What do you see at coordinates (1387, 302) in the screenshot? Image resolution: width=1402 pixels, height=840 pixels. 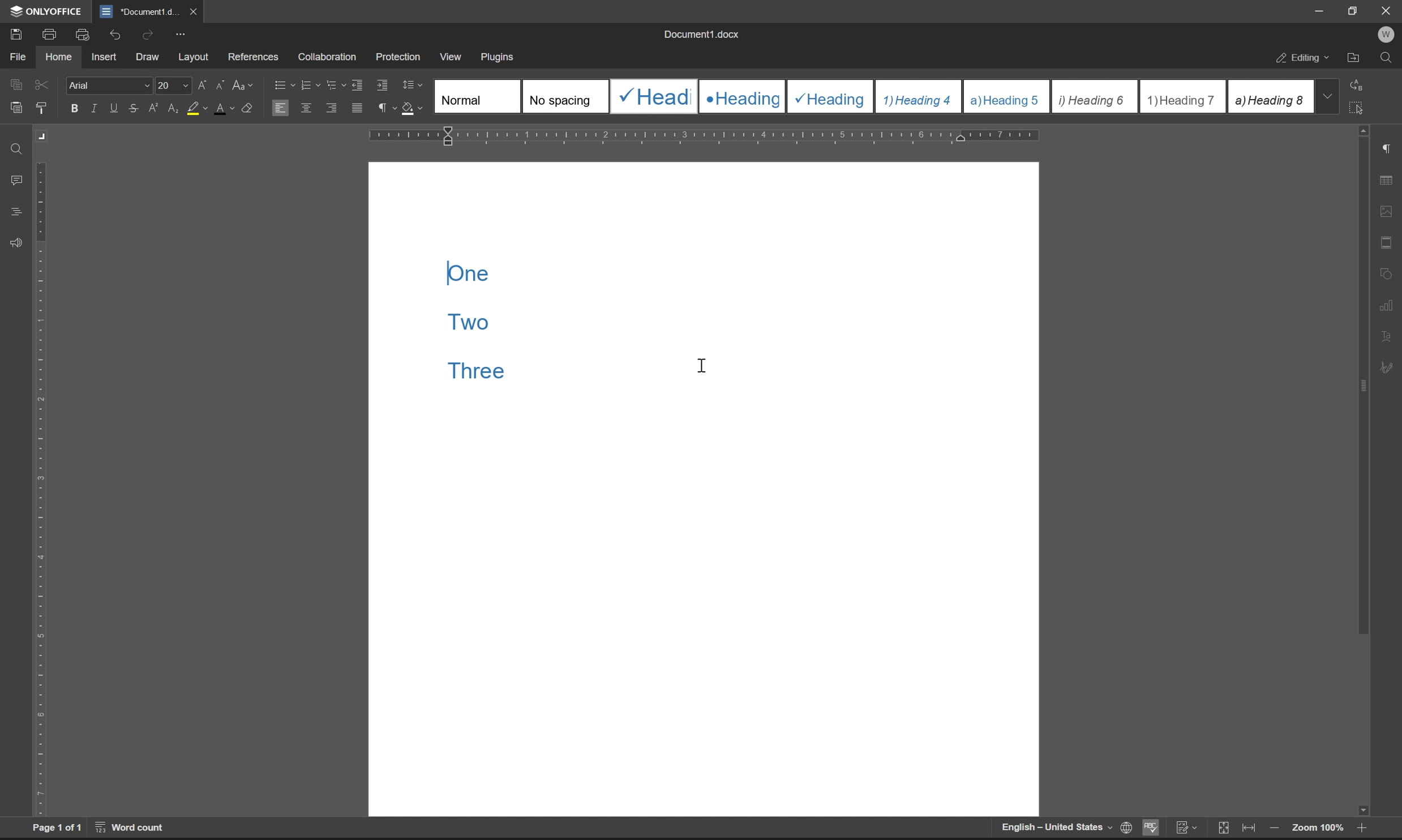 I see `chart settings` at bounding box center [1387, 302].